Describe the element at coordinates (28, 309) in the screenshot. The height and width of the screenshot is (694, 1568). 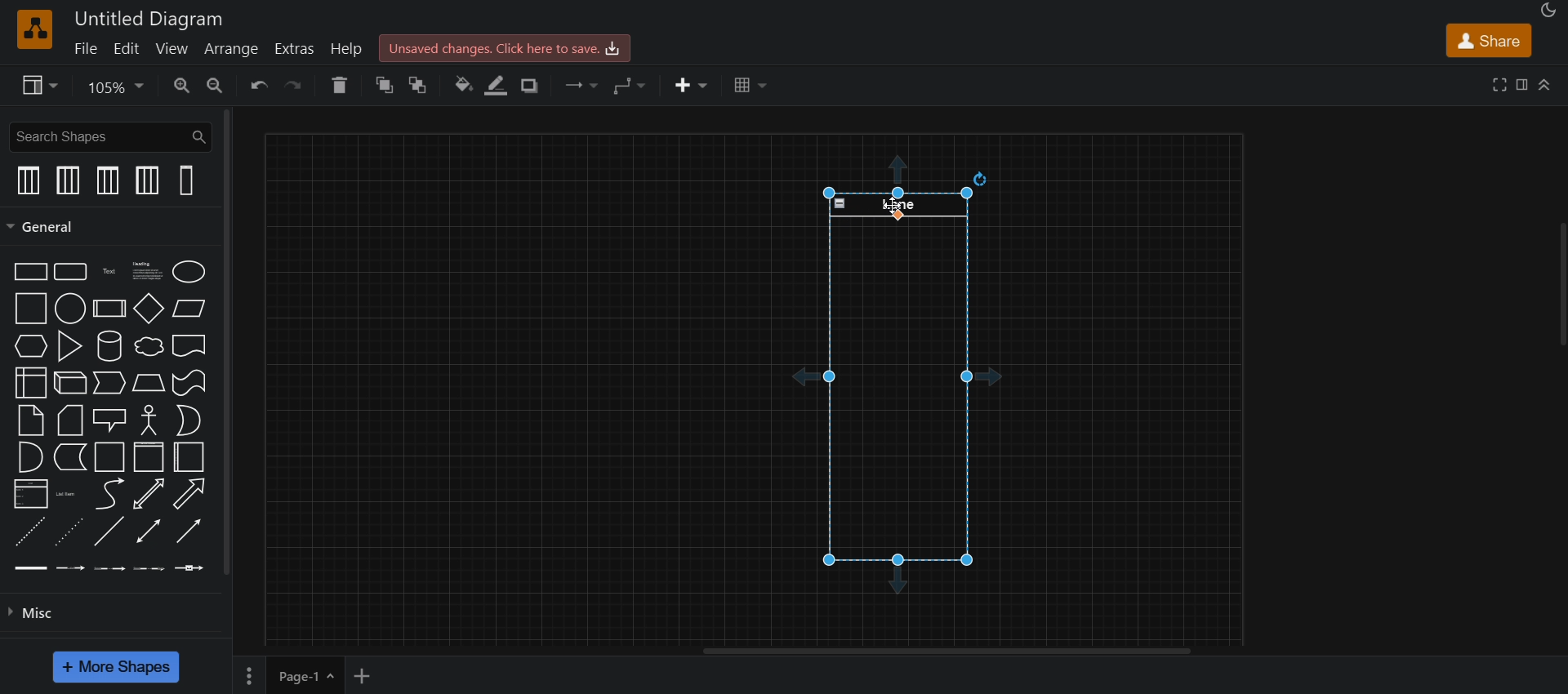
I see `square` at that location.